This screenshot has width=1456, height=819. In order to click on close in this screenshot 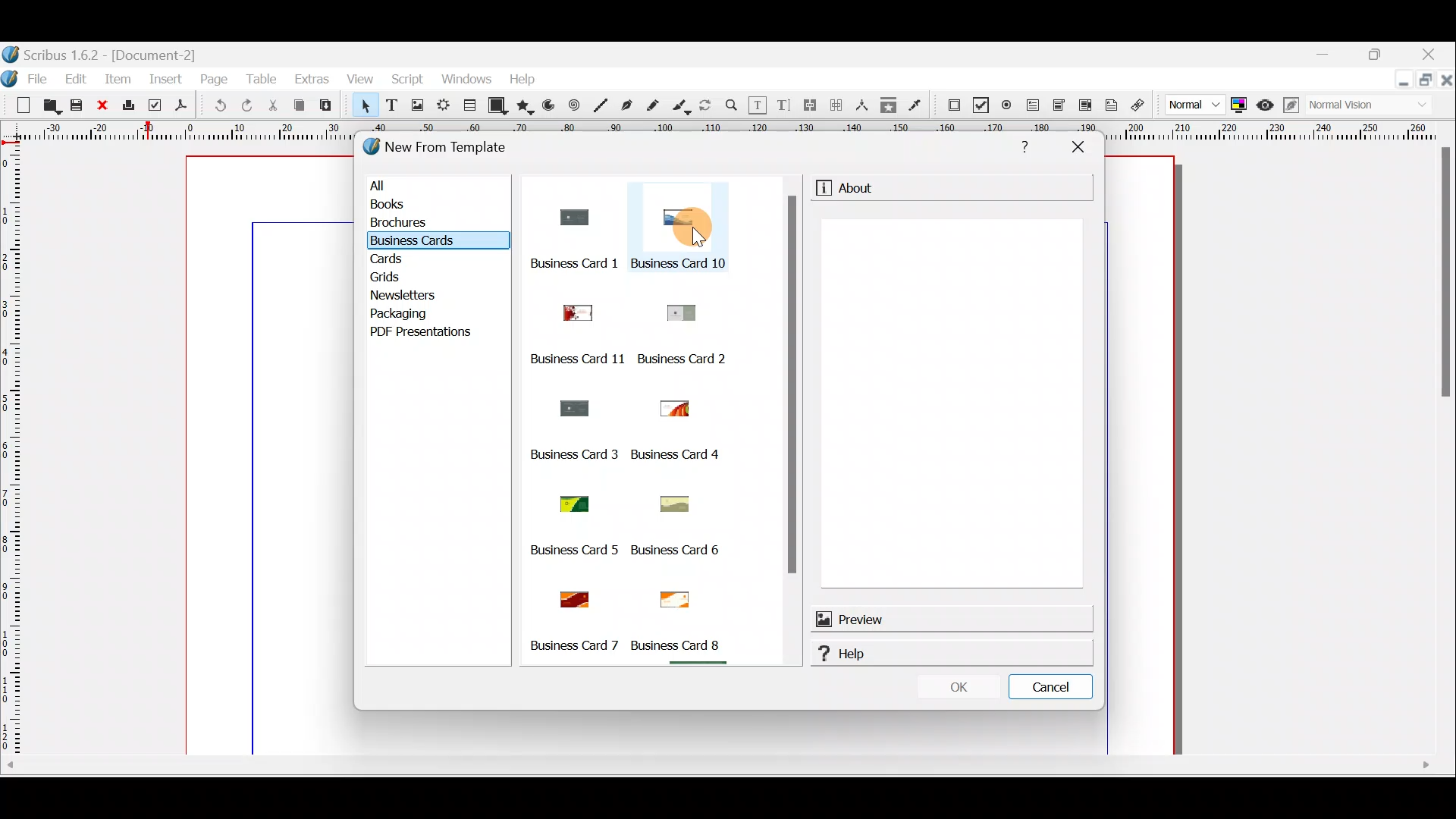, I will do `click(1447, 78)`.